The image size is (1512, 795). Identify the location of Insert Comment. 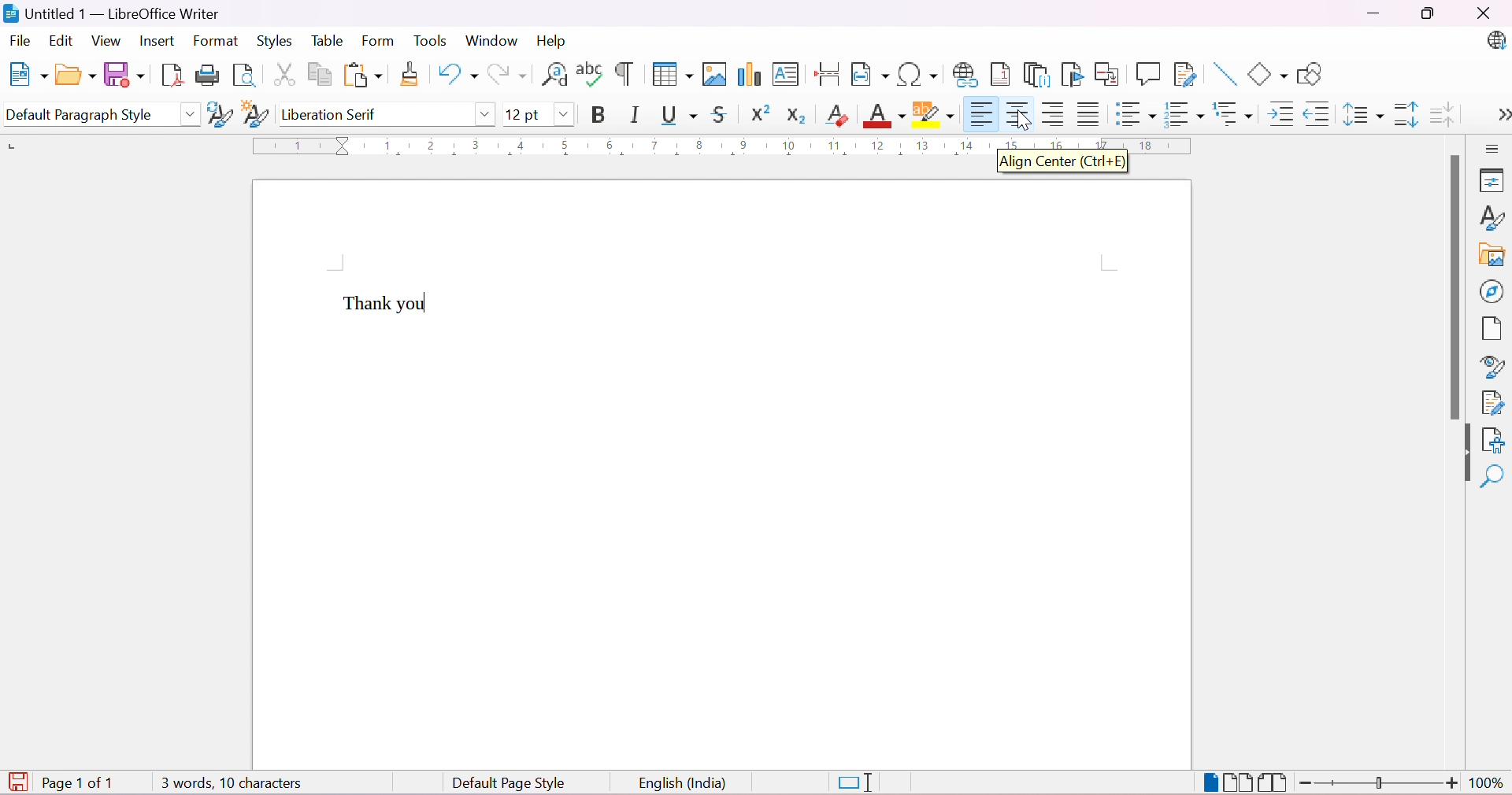
(1147, 73).